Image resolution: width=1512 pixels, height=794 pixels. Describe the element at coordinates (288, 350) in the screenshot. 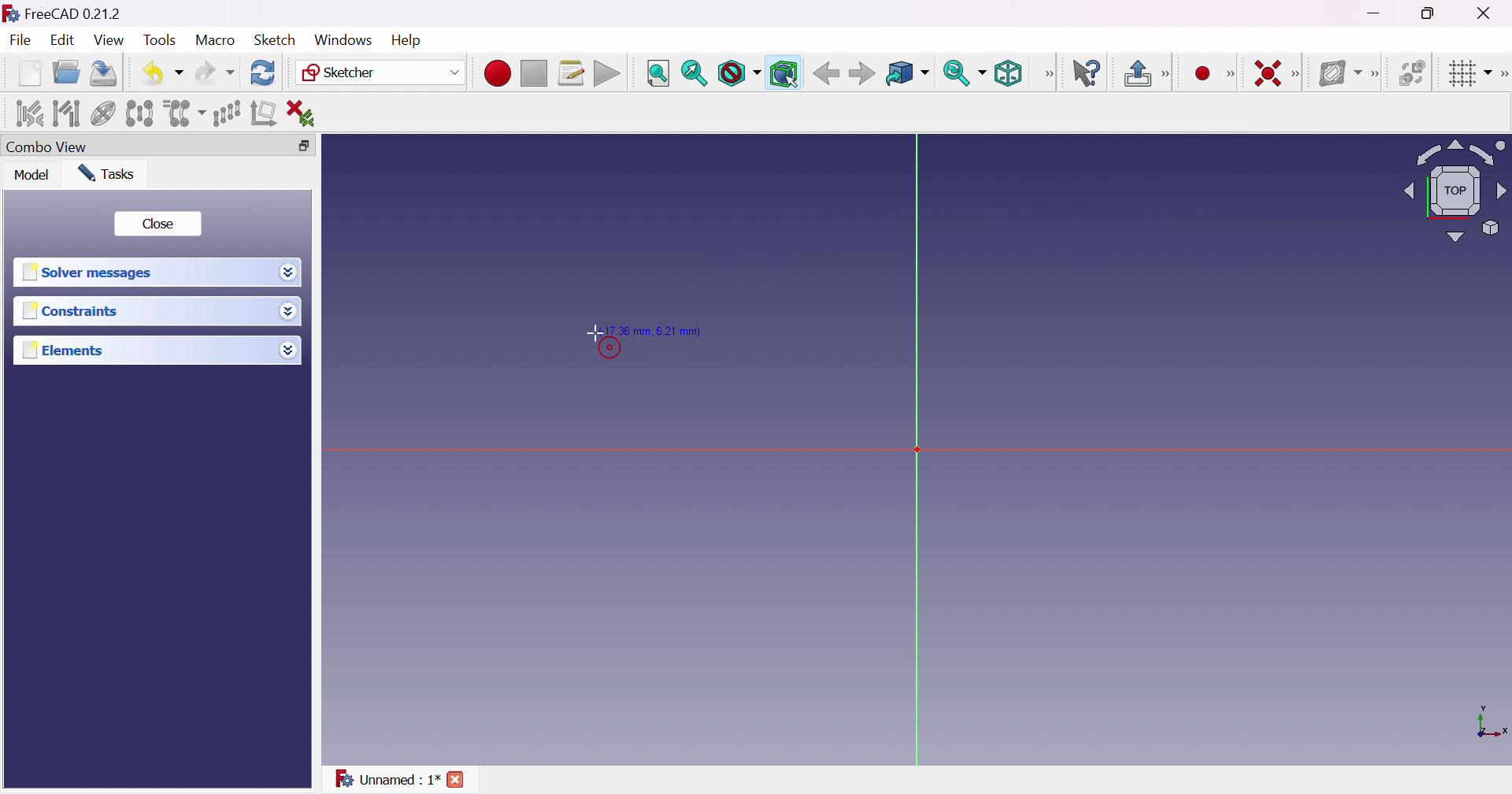

I see `Drop down` at that location.